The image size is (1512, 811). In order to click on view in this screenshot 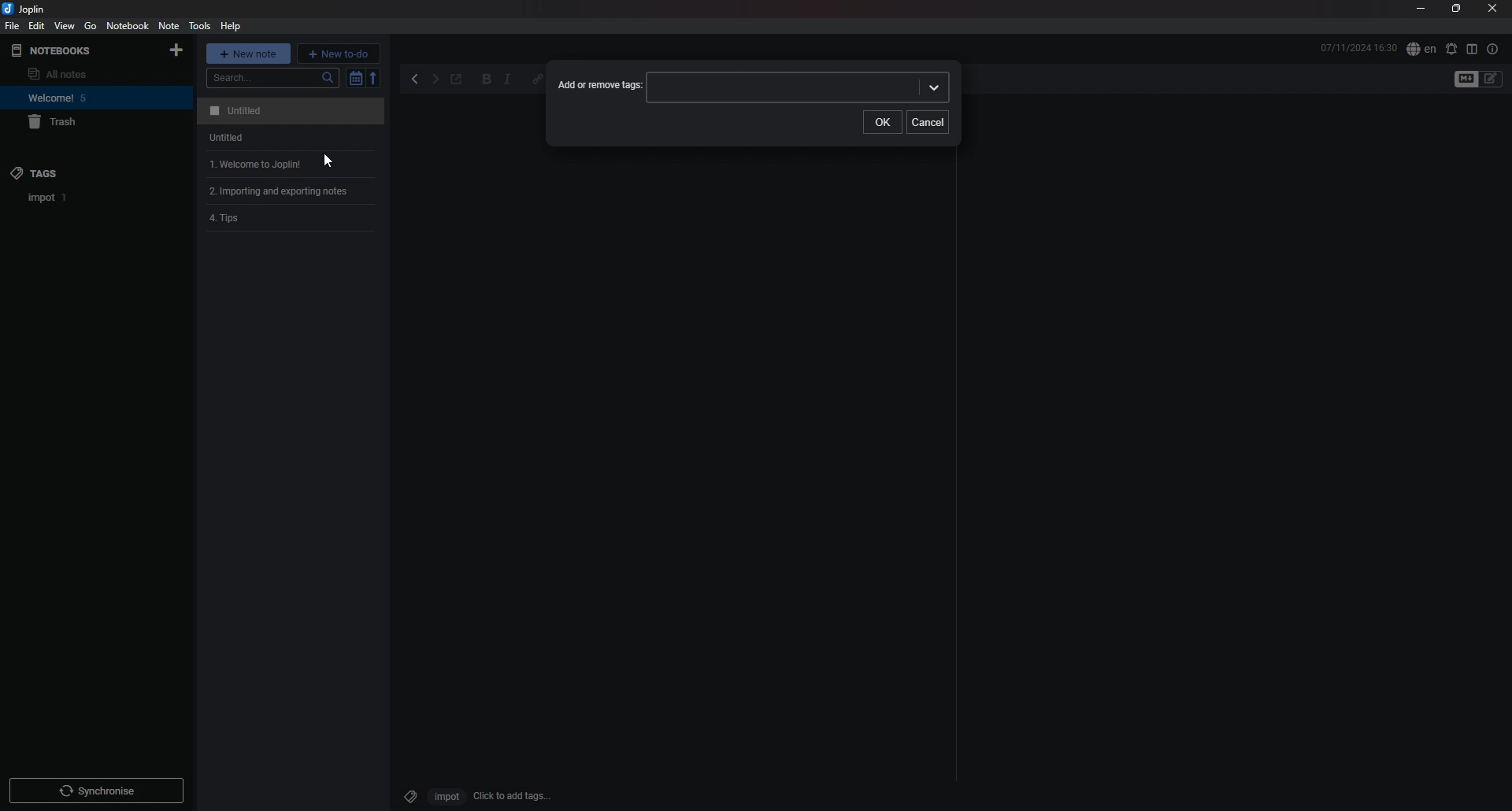, I will do `click(65, 26)`.